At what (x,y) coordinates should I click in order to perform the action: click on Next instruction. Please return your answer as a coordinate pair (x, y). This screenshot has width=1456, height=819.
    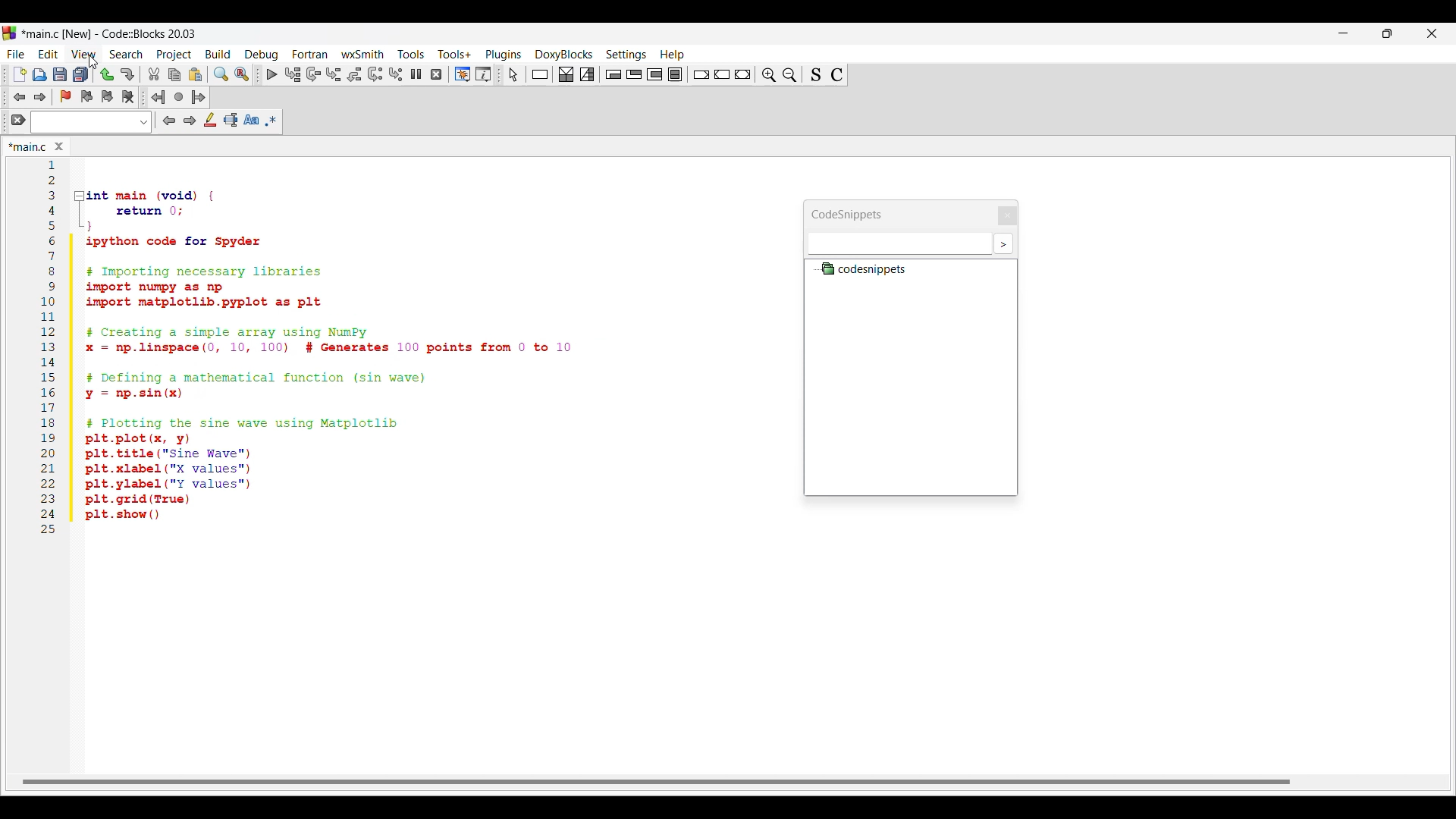
    Looking at the image, I should click on (375, 74).